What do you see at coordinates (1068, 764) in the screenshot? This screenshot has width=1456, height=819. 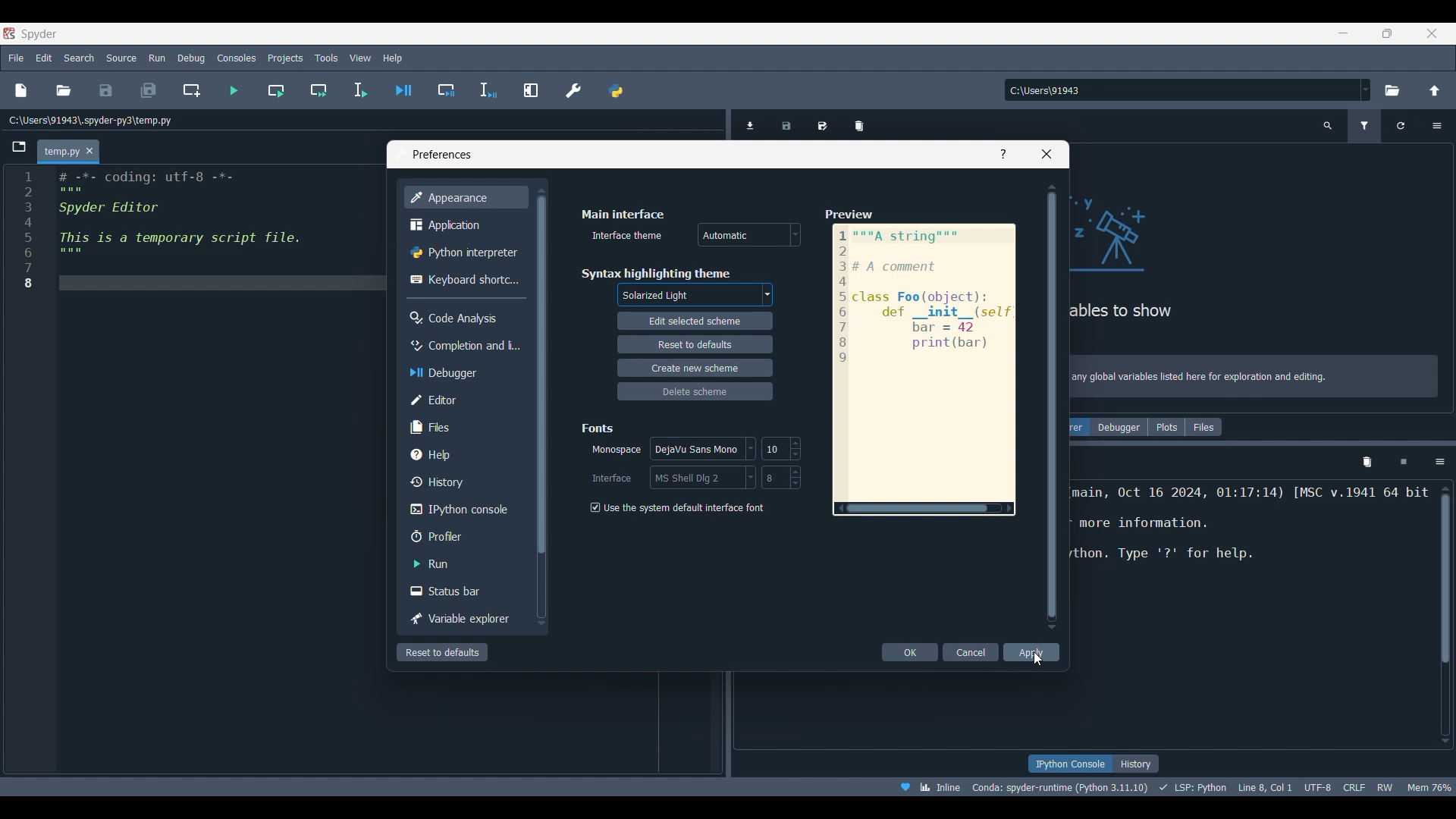 I see `IPython console` at bounding box center [1068, 764].